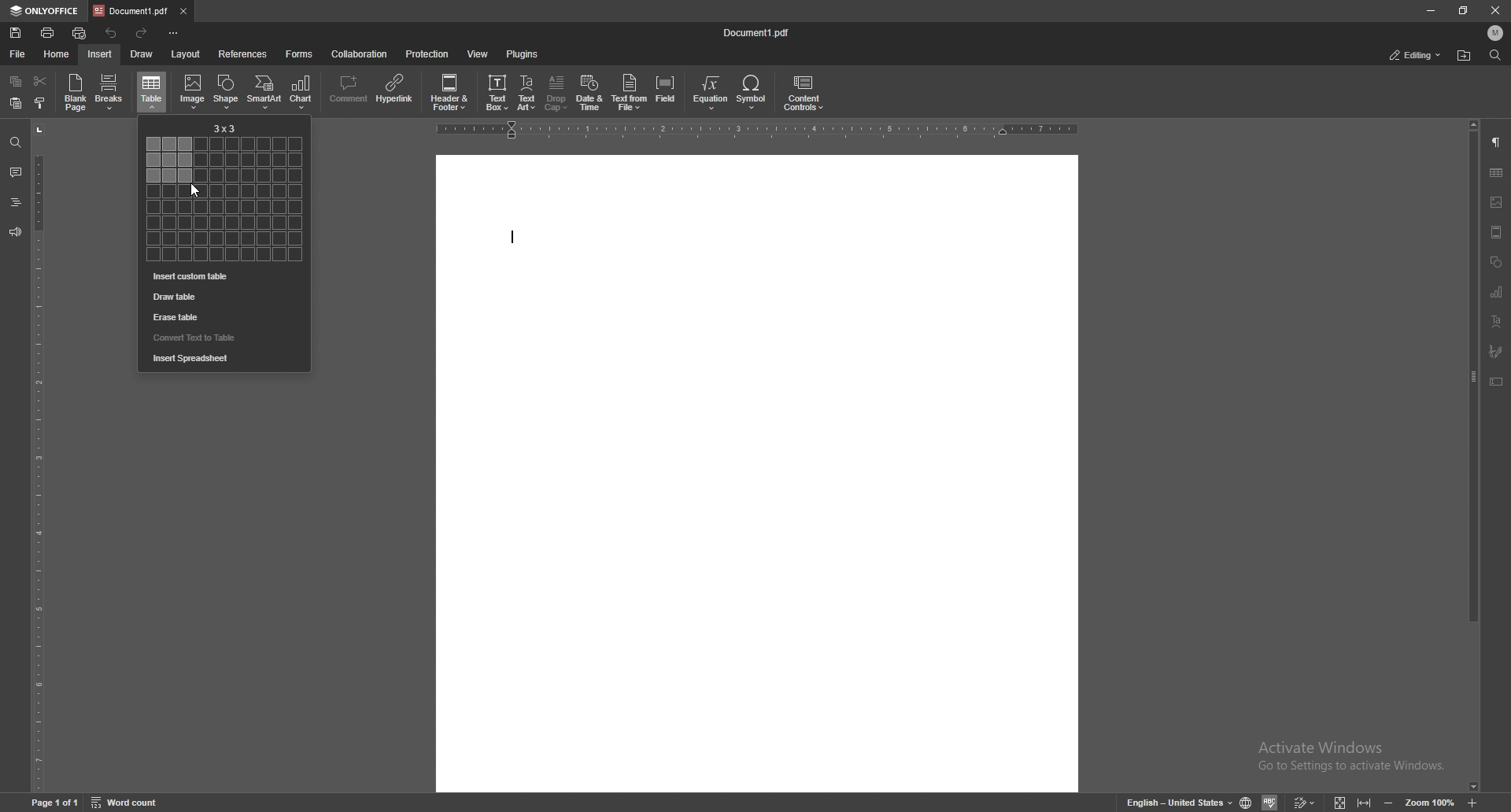  What do you see at coordinates (222, 297) in the screenshot?
I see `draw table` at bounding box center [222, 297].